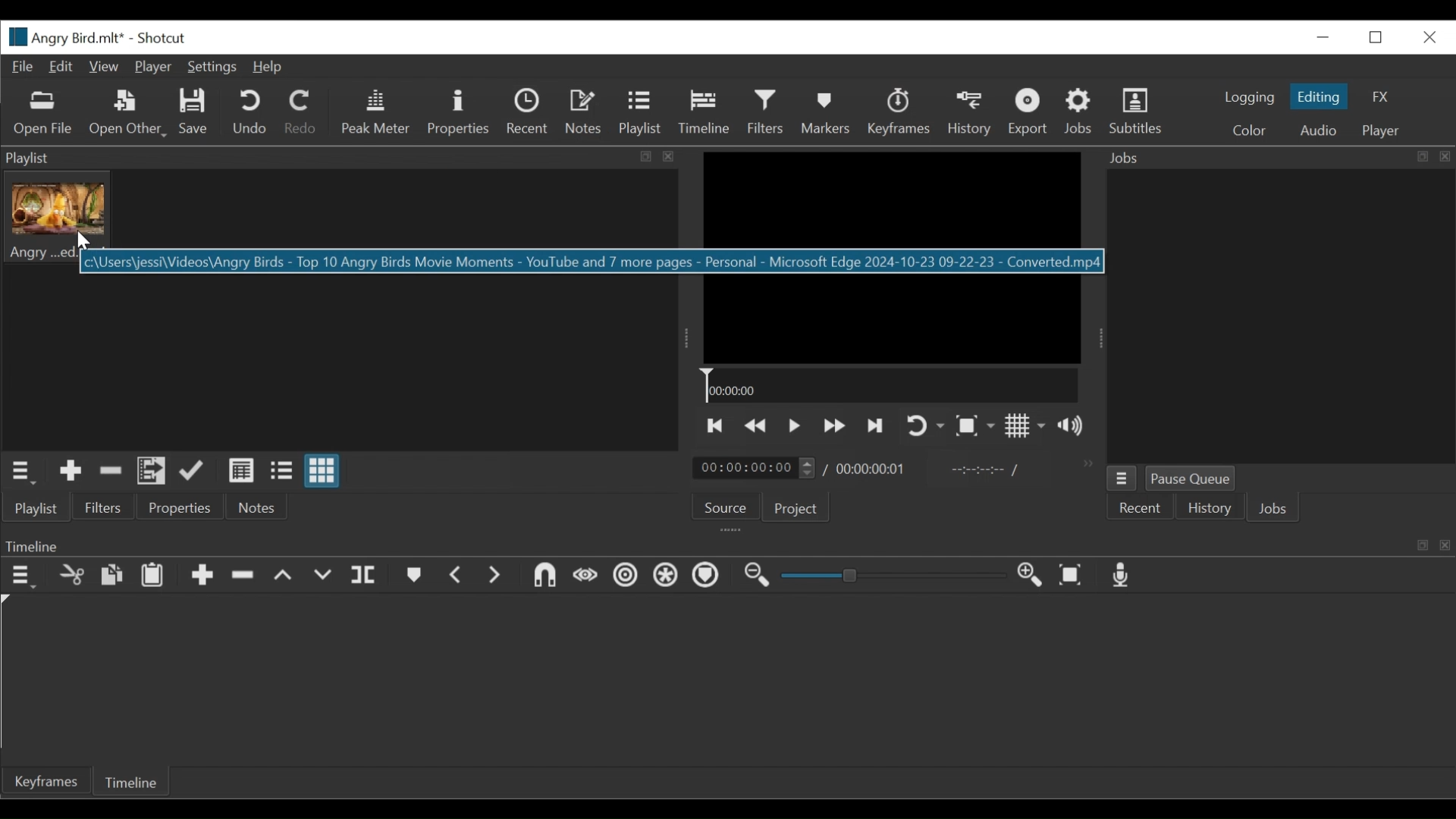 The width and height of the screenshot is (1456, 819). What do you see at coordinates (758, 577) in the screenshot?
I see `Zoom out timeline` at bounding box center [758, 577].